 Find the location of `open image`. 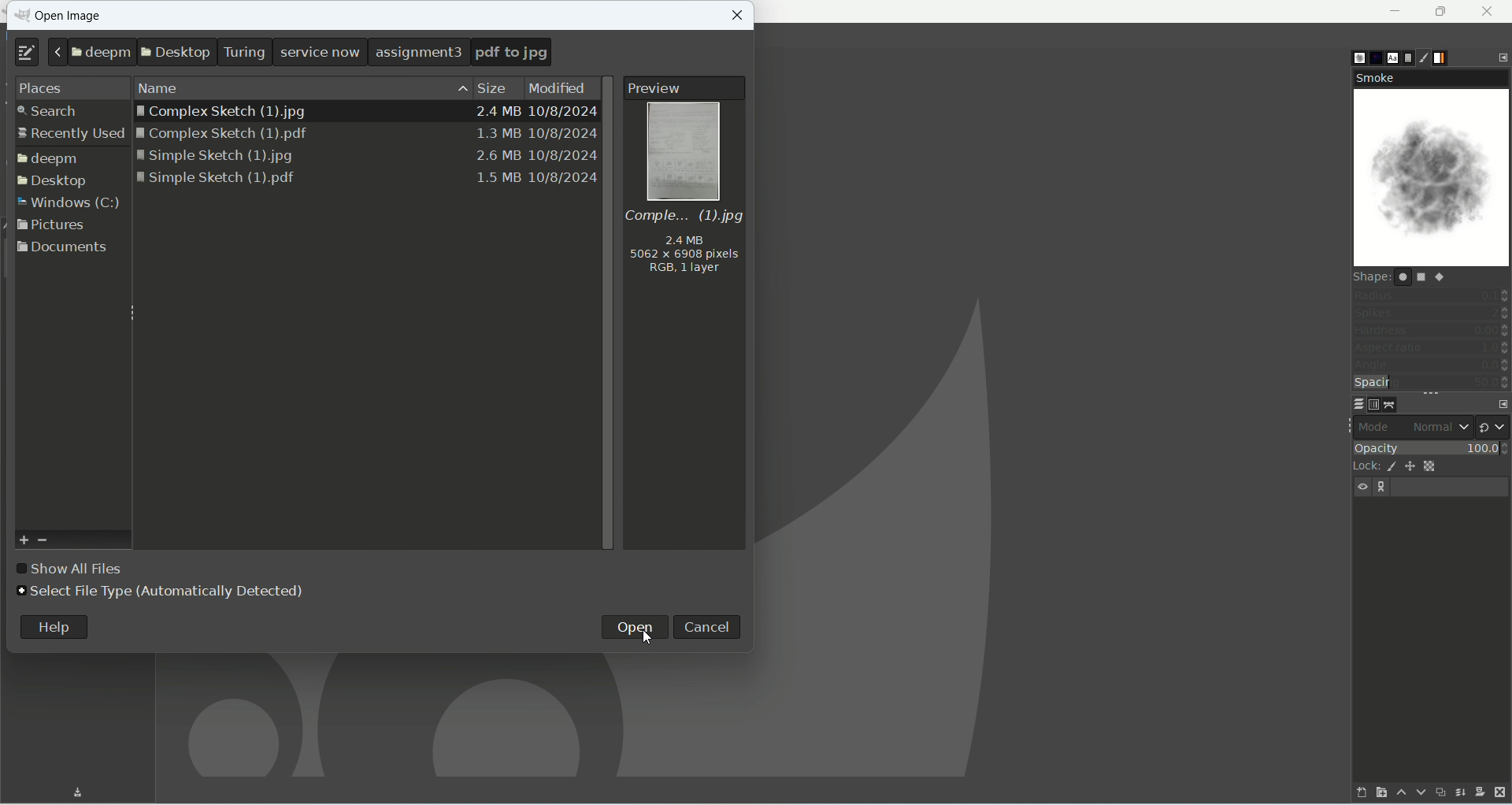

open image is located at coordinates (69, 16).